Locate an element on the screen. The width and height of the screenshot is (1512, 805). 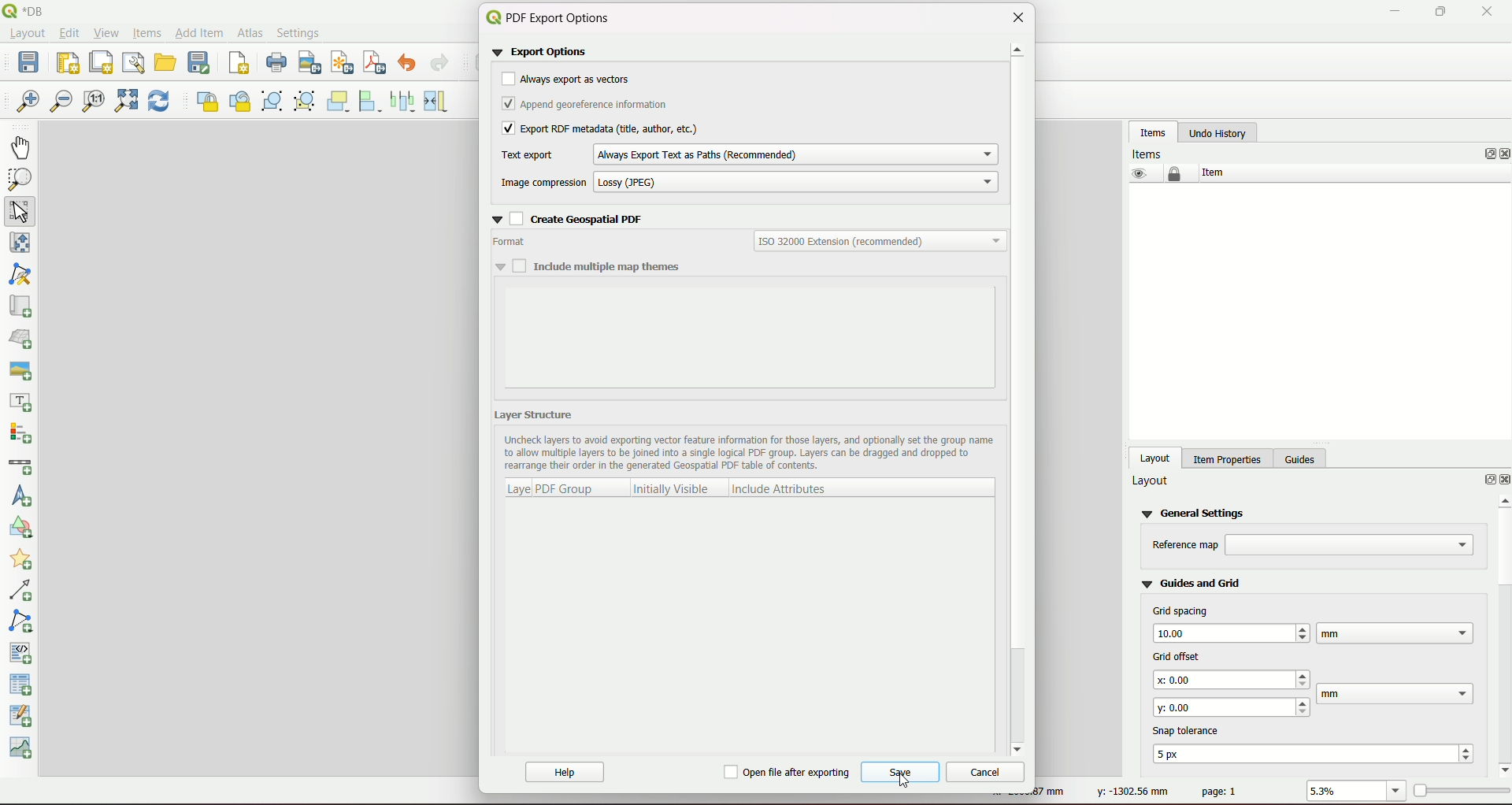
checkbox is located at coordinates (787, 773).